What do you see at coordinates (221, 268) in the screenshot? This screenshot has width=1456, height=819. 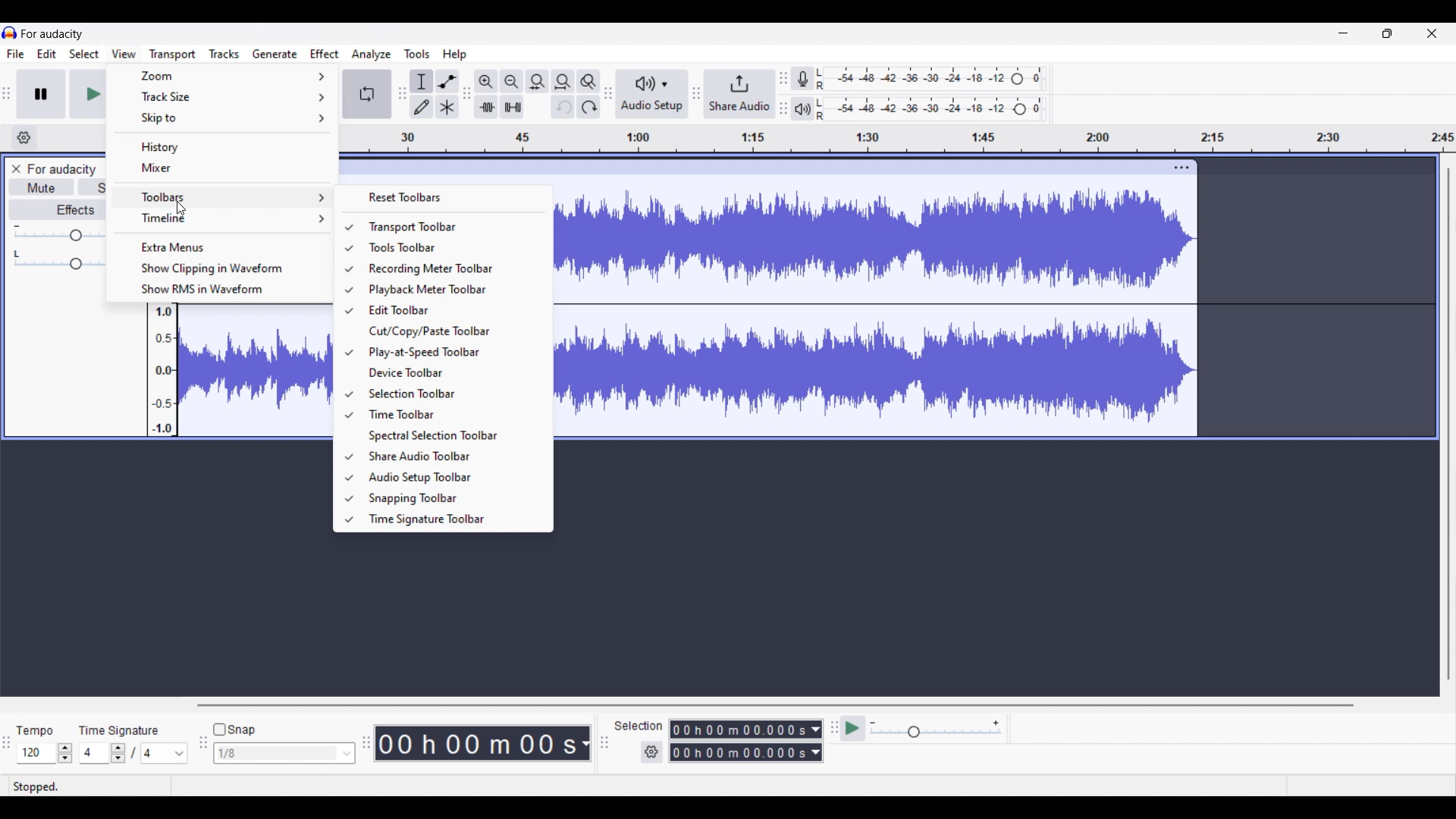 I see `Show clipping in waveform` at bounding box center [221, 268].